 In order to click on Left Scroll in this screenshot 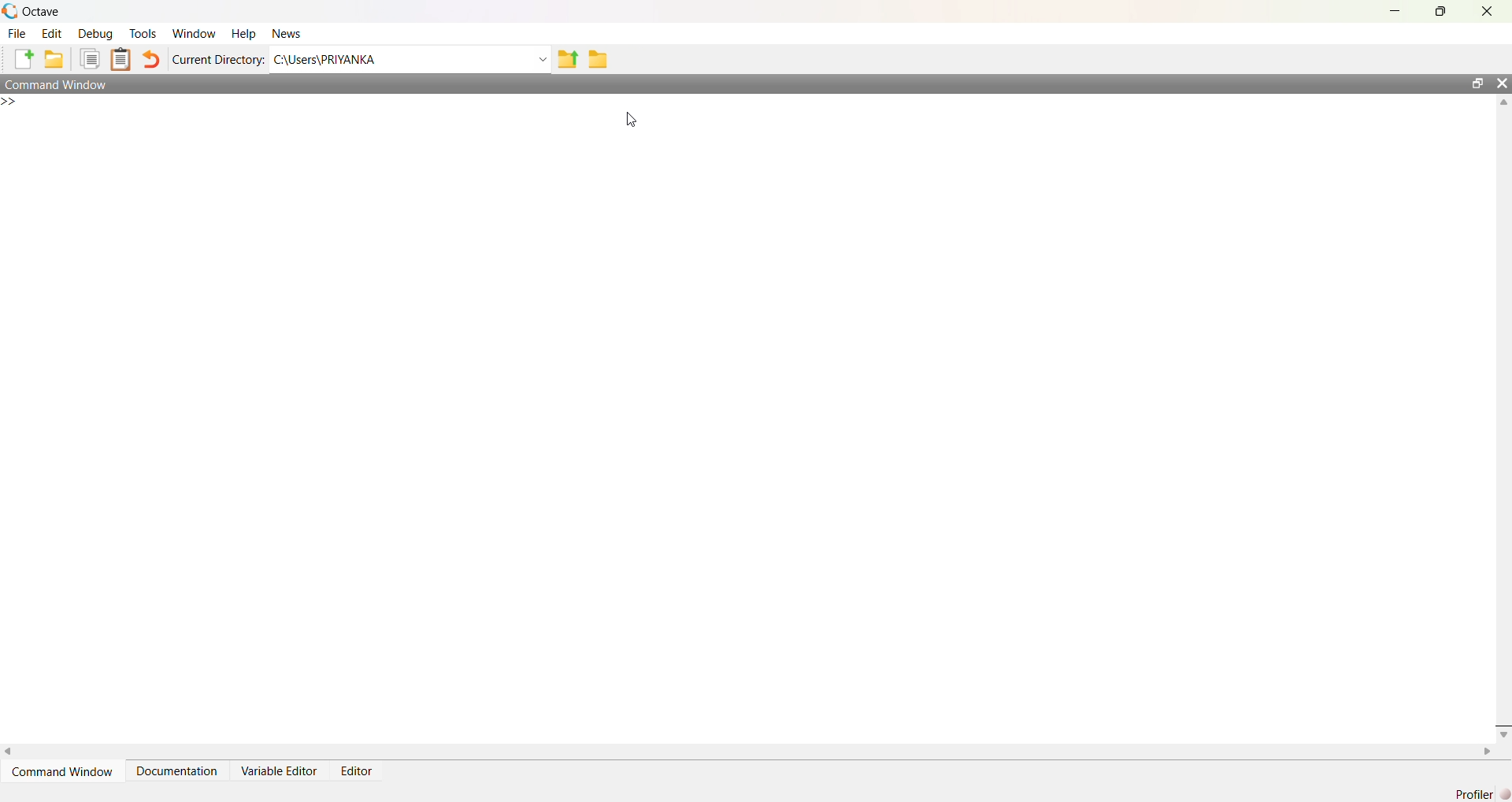, I will do `click(9, 750)`.